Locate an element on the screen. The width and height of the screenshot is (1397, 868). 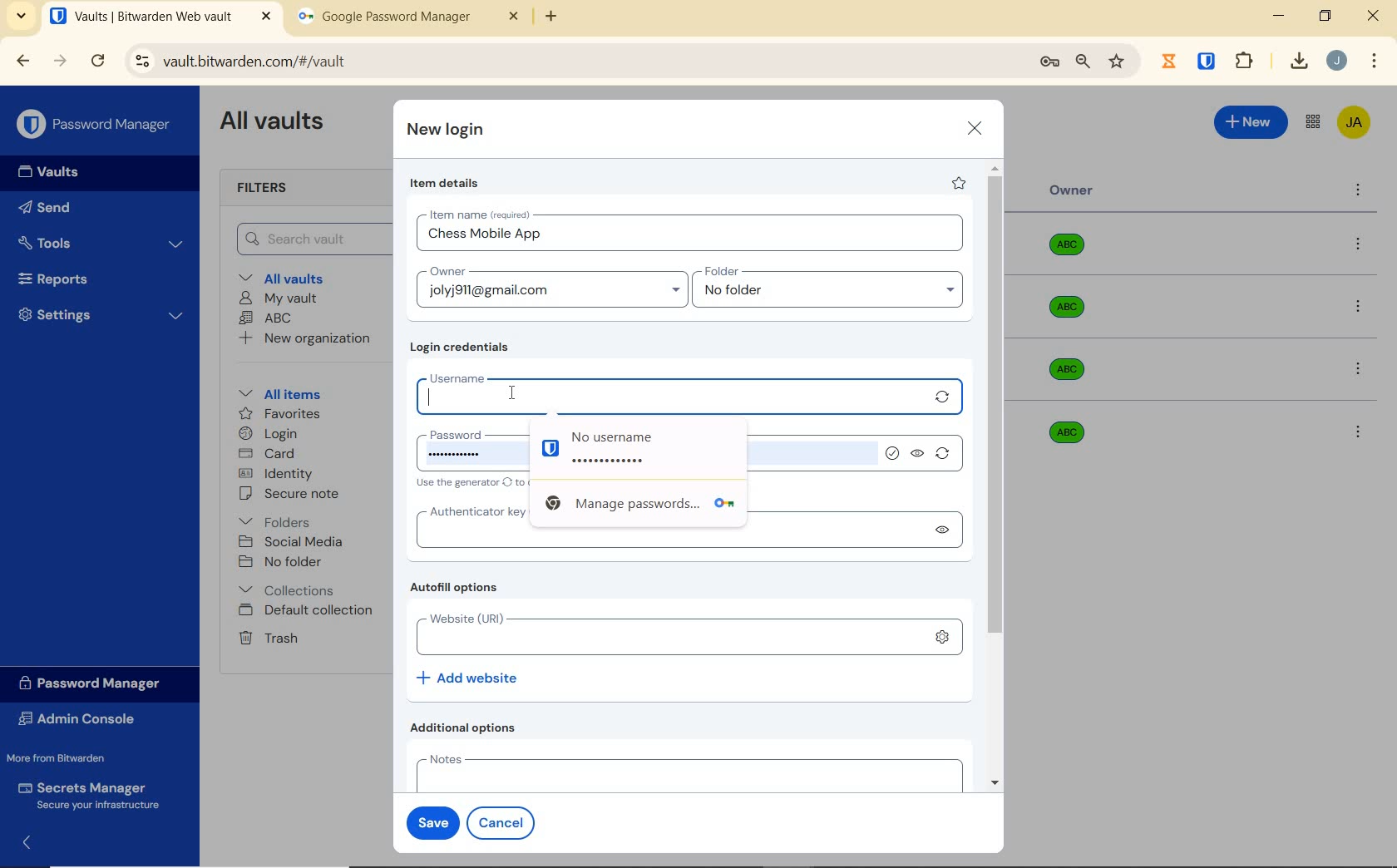
option is located at coordinates (1357, 431).